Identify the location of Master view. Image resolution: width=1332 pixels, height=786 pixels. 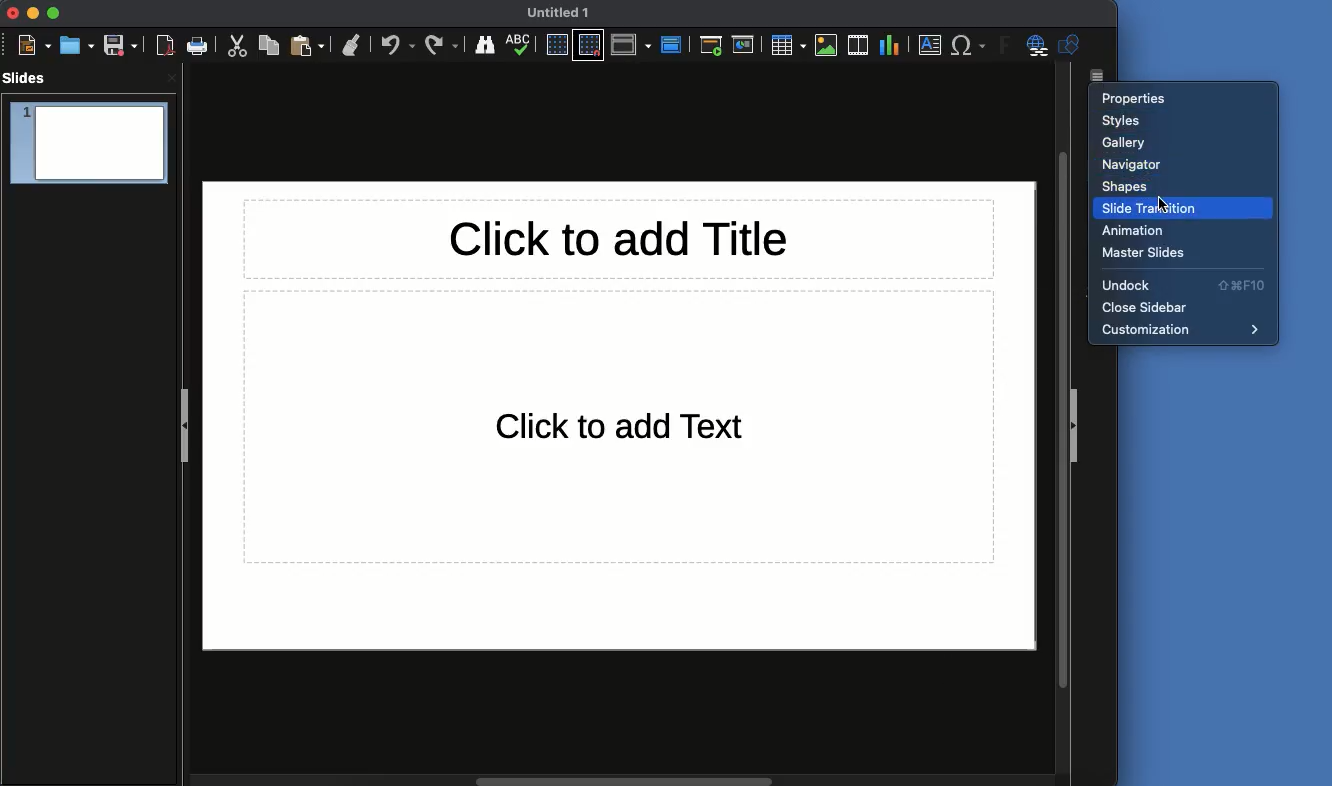
(673, 43).